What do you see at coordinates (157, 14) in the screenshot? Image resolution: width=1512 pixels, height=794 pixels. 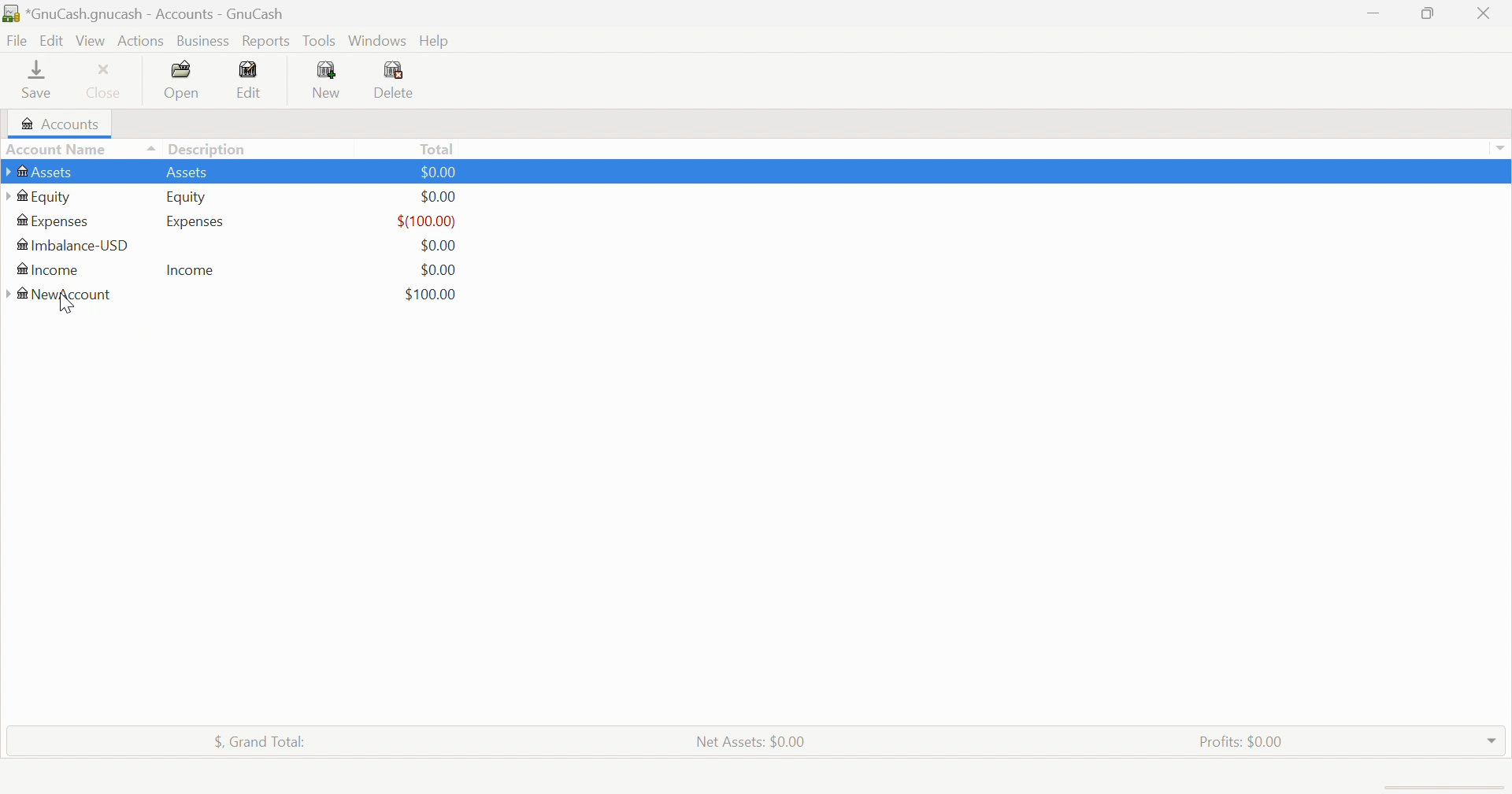 I see `*GnuCash.gnucash - Accounts - GnuCash` at bounding box center [157, 14].